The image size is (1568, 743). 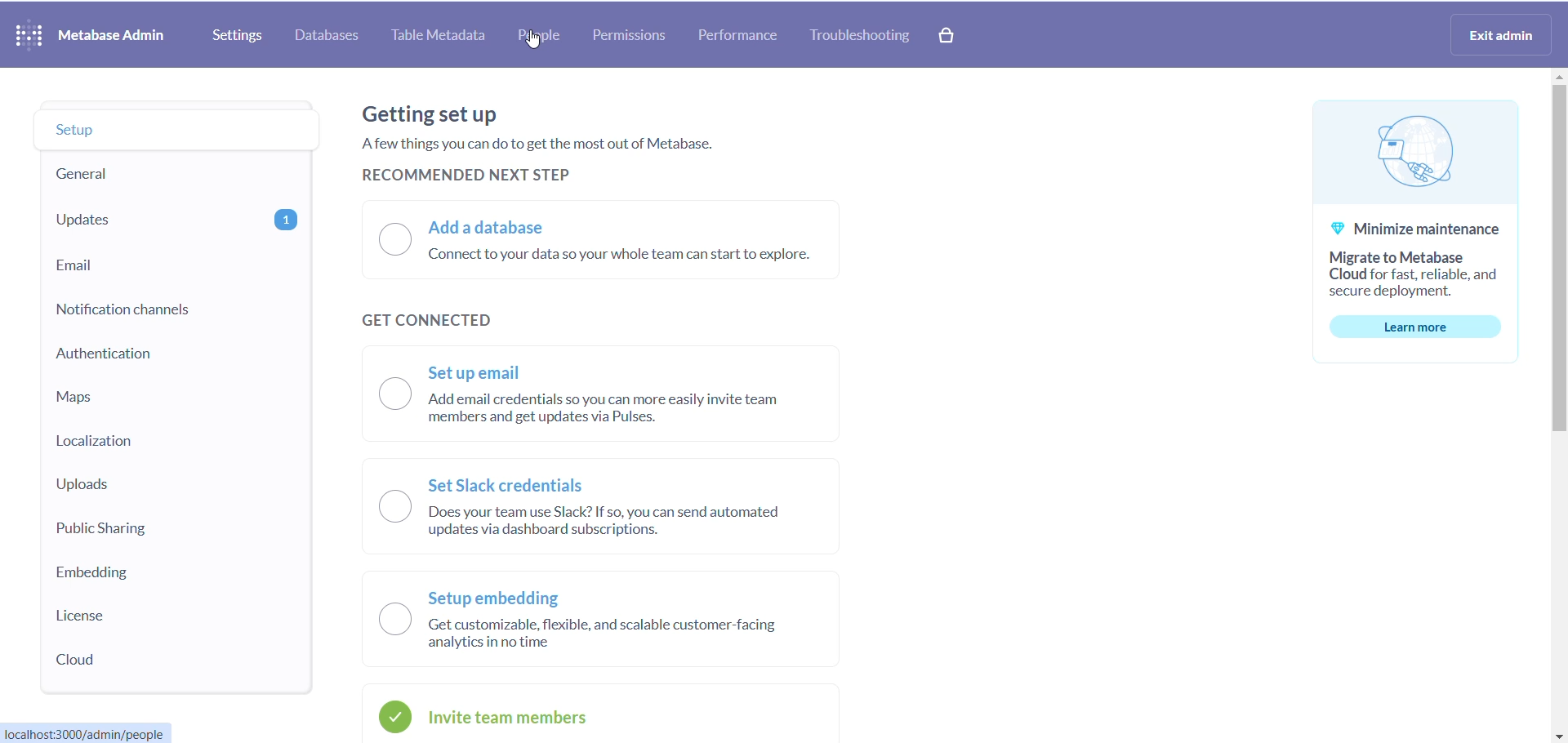 I want to click on database, so click(x=325, y=35).